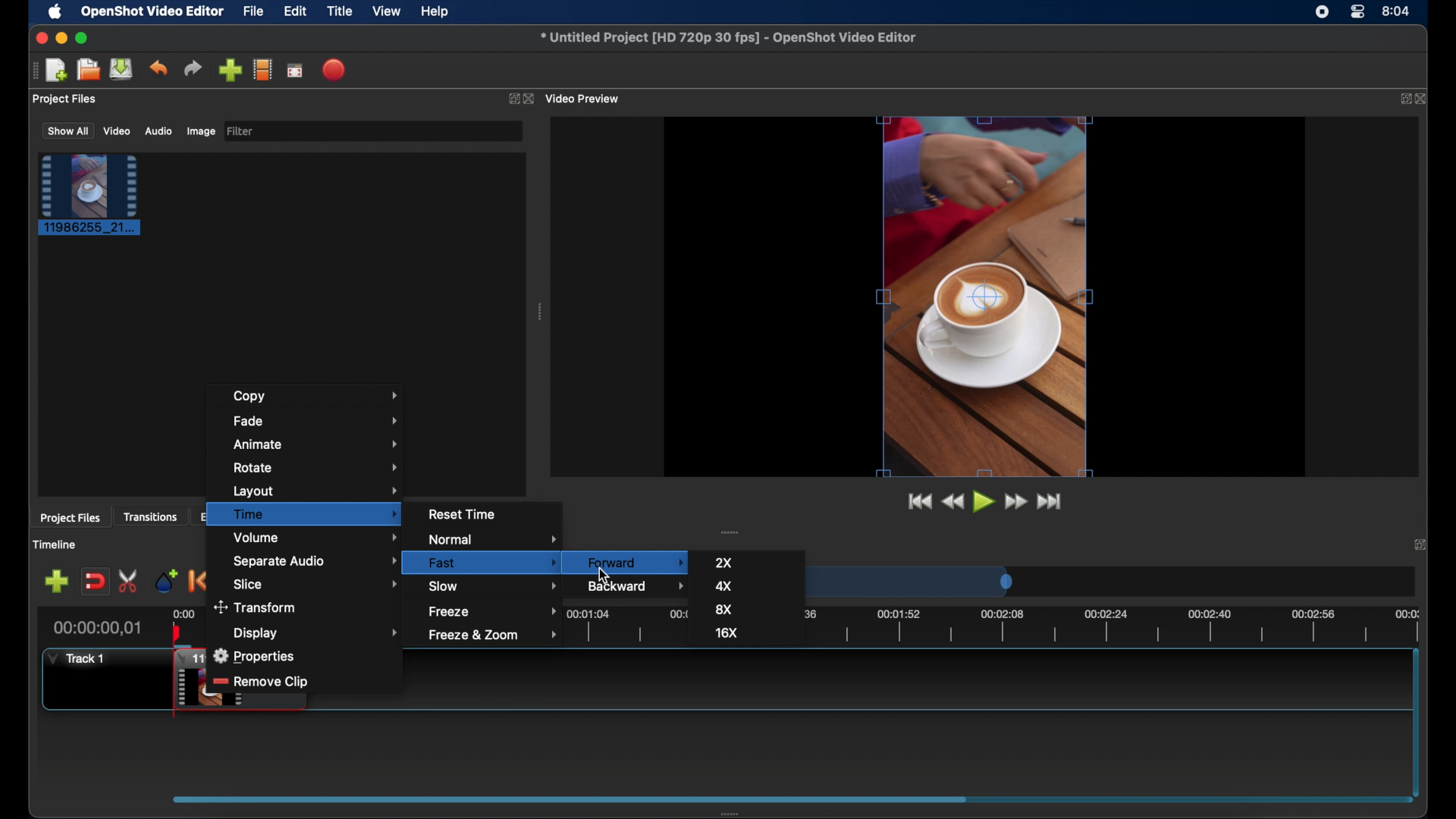  What do you see at coordinates (919, 501) in the screenshot?
I see `jump to start` at bounding box center [919, 501].